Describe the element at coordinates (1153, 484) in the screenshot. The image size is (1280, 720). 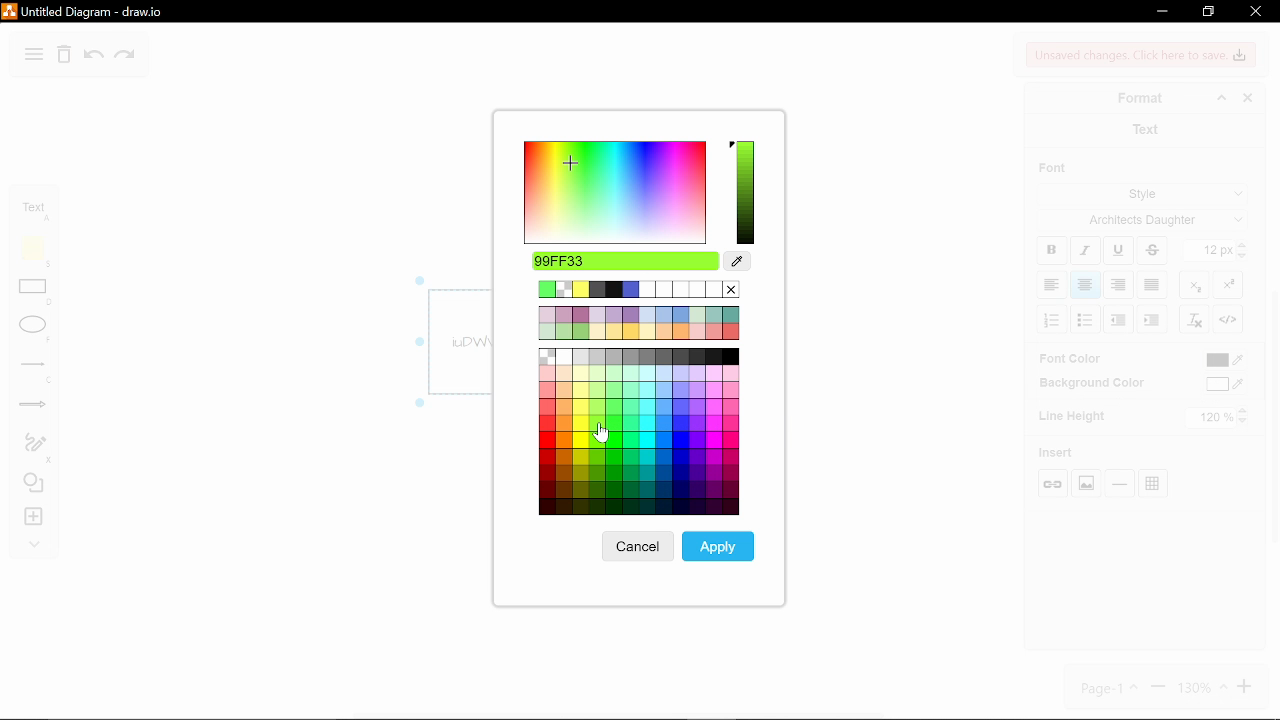
I see `table` at that location.